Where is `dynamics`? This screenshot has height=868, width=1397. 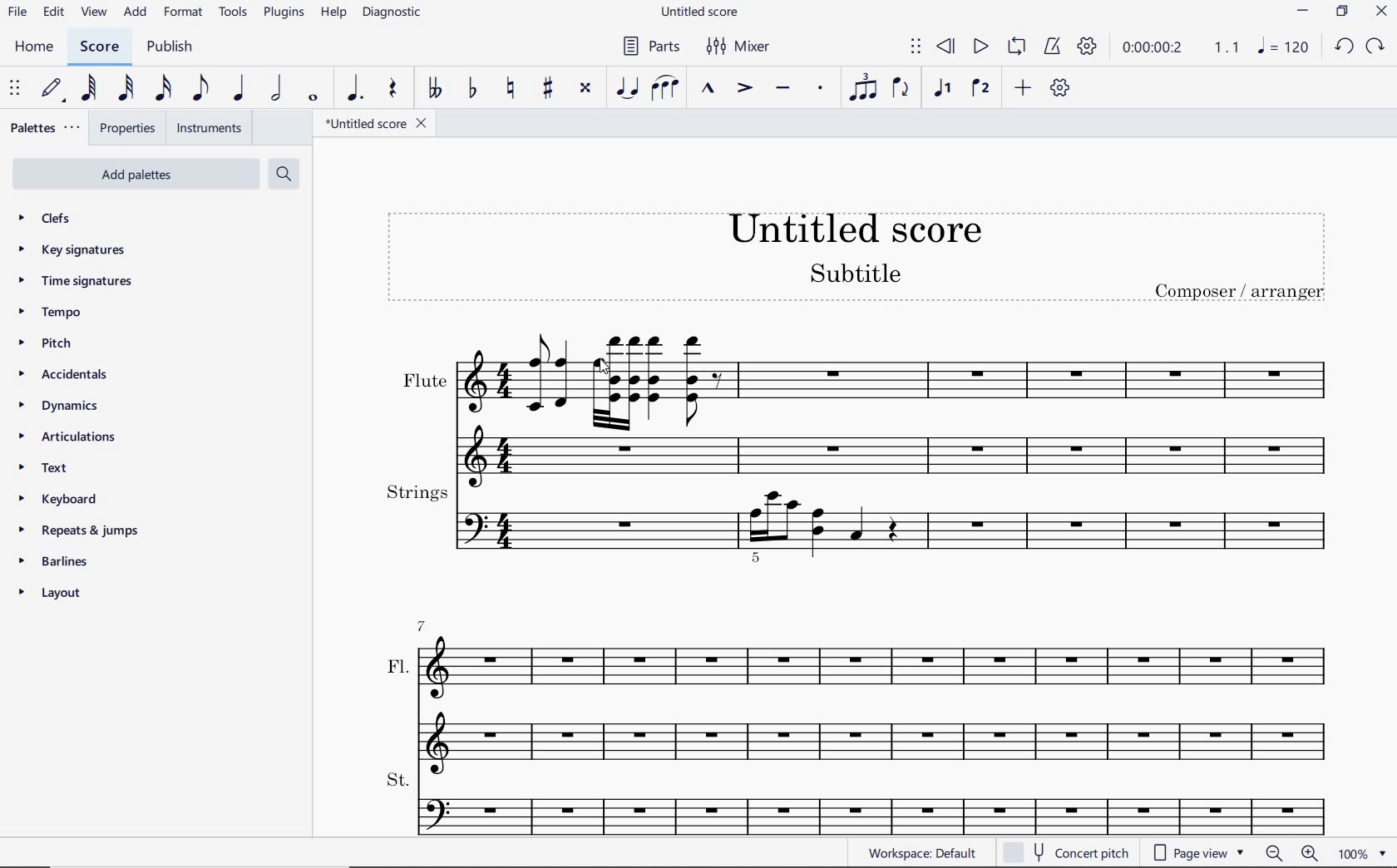
dynamics is located at coordinates (68, 405).